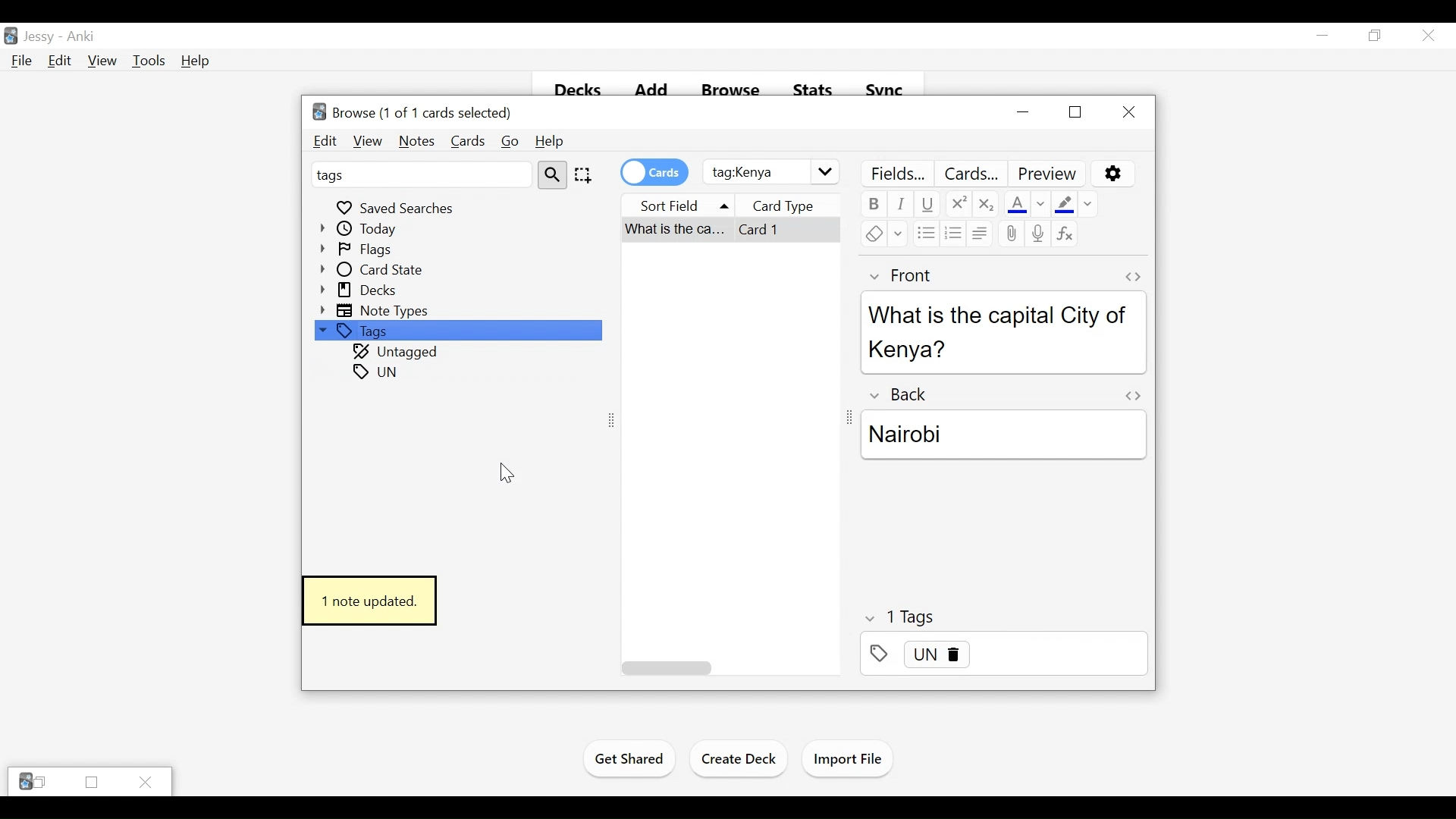 The width and height of the screenshot is (1456, 819). What do you see at coordinates (1089, 202) in the screenshot?
I see `Select Formatting to Remove` at bounding box center [1089, 202].